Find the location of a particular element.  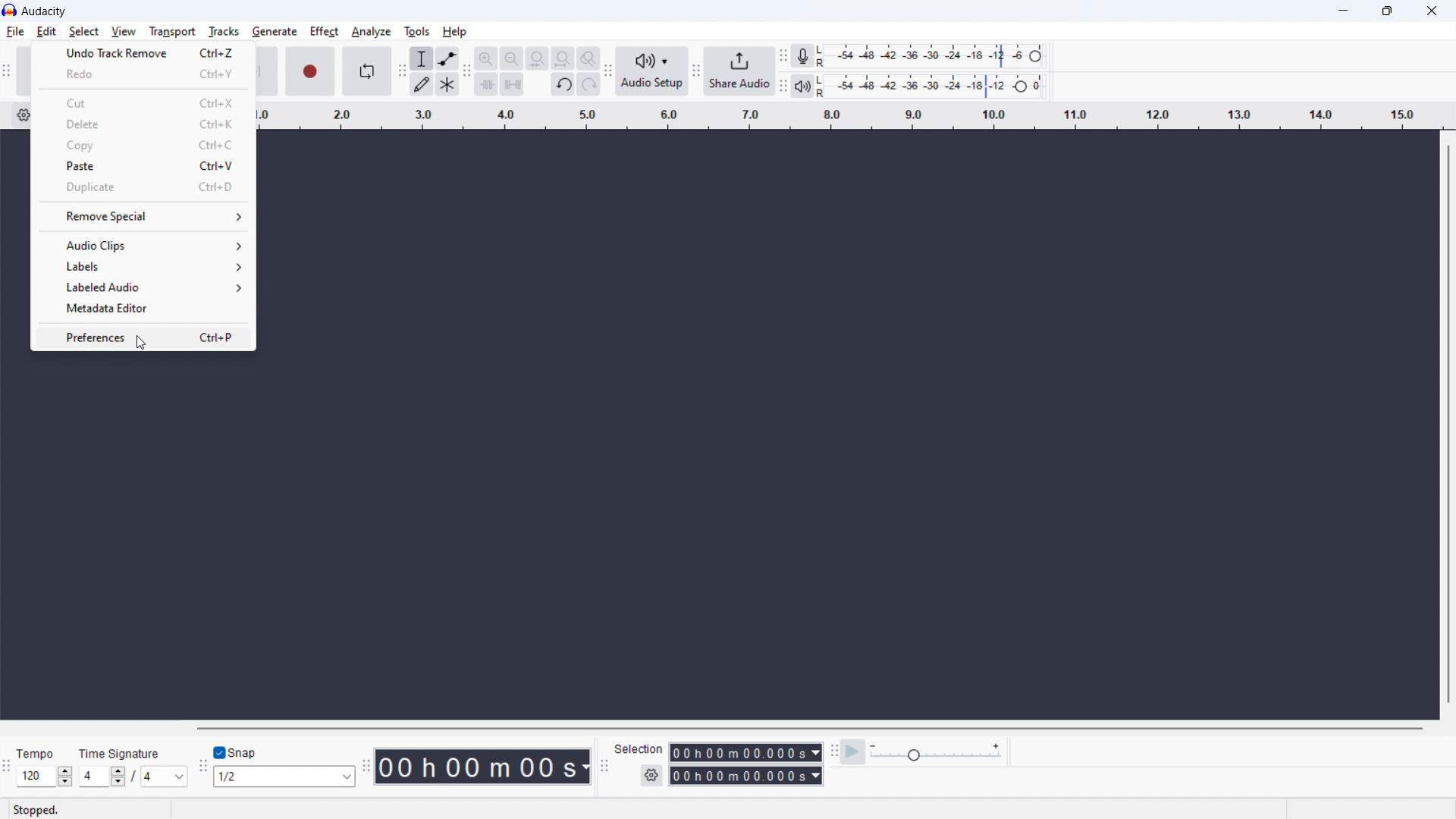

tracks is located at coordinates (224, 31).